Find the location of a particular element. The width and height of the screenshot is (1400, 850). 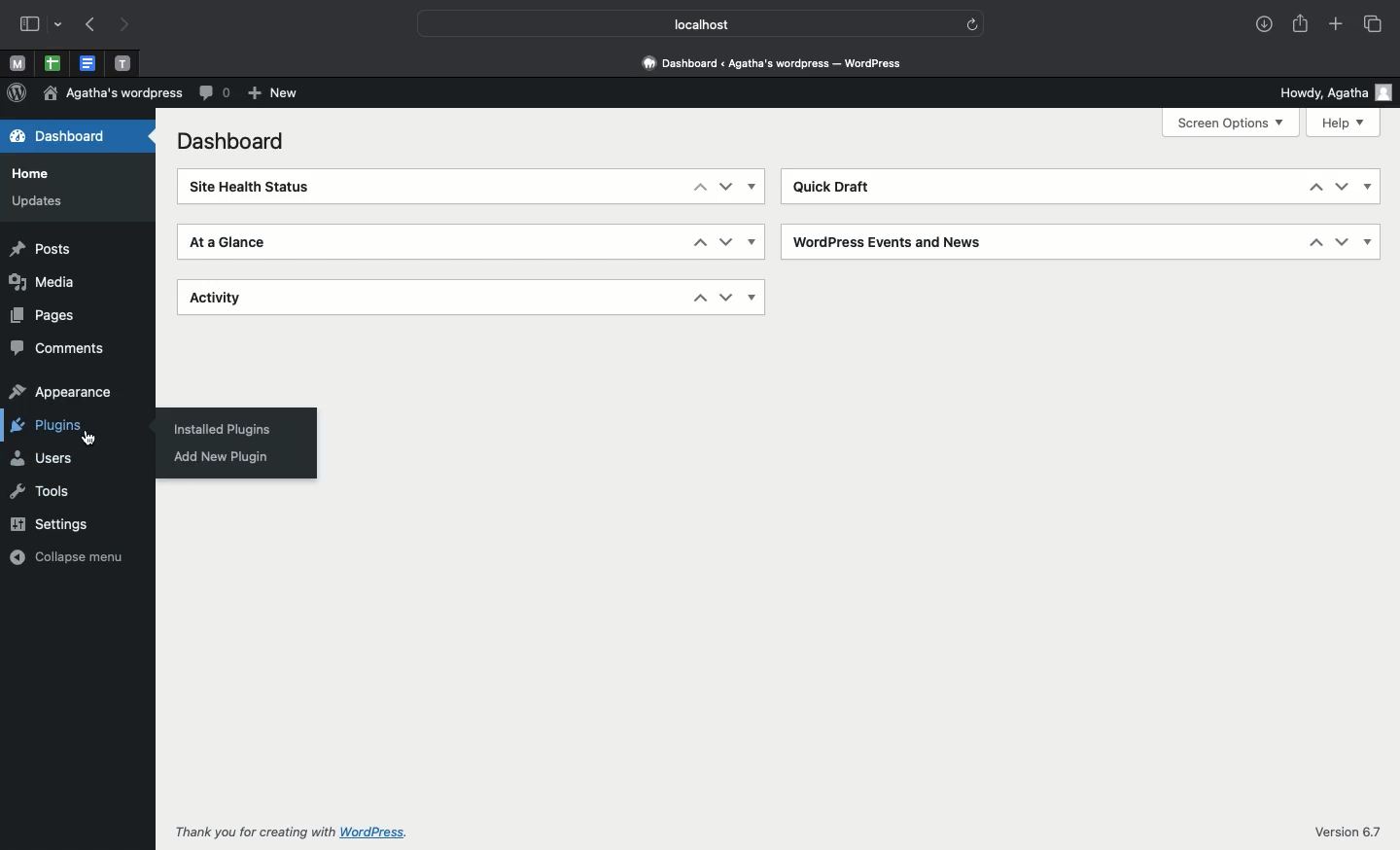

drop-down is located at coordinates (57, 26).